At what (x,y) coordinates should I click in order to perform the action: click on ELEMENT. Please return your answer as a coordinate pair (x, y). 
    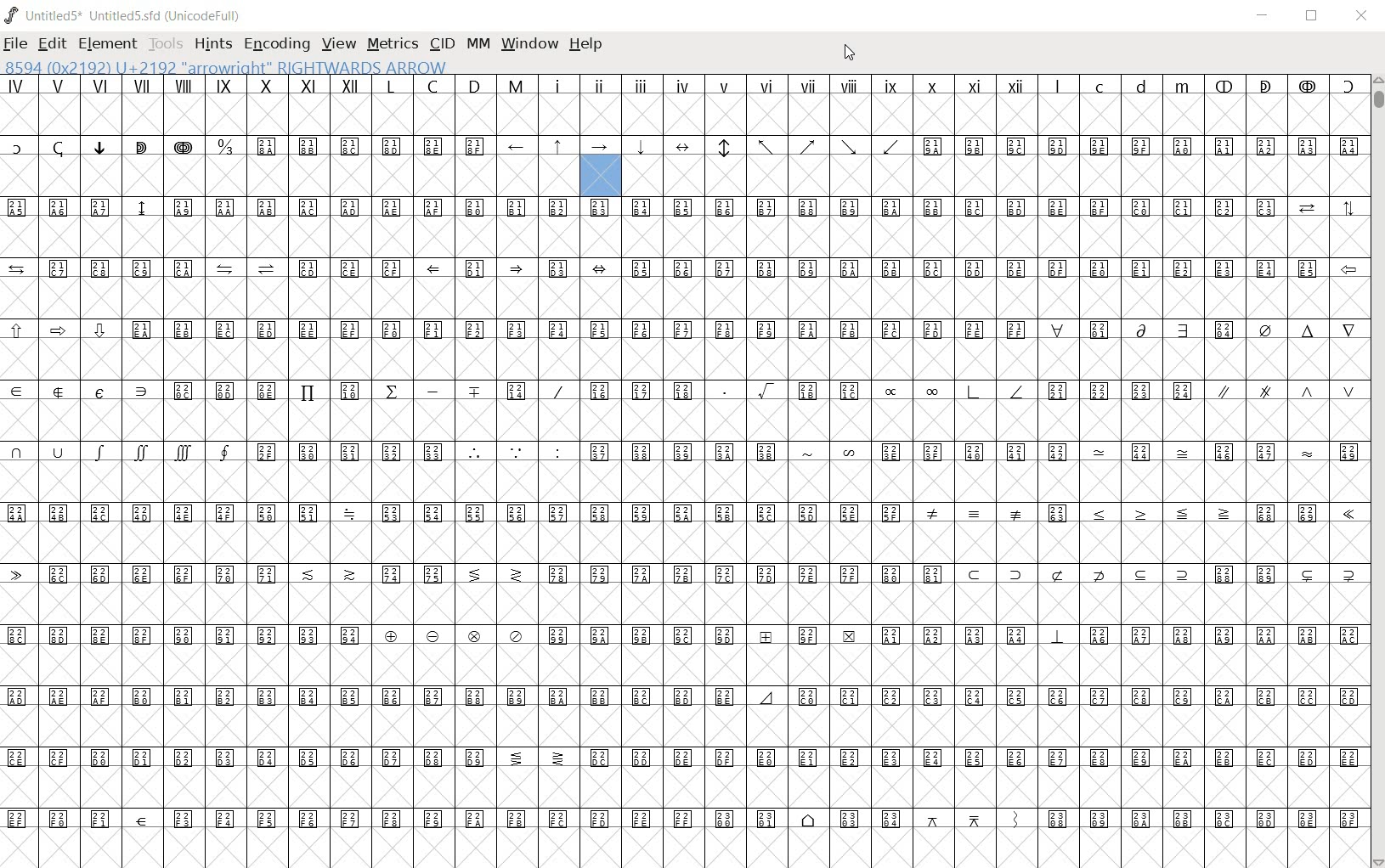
    Looking at the image, I should click on (109, 43).